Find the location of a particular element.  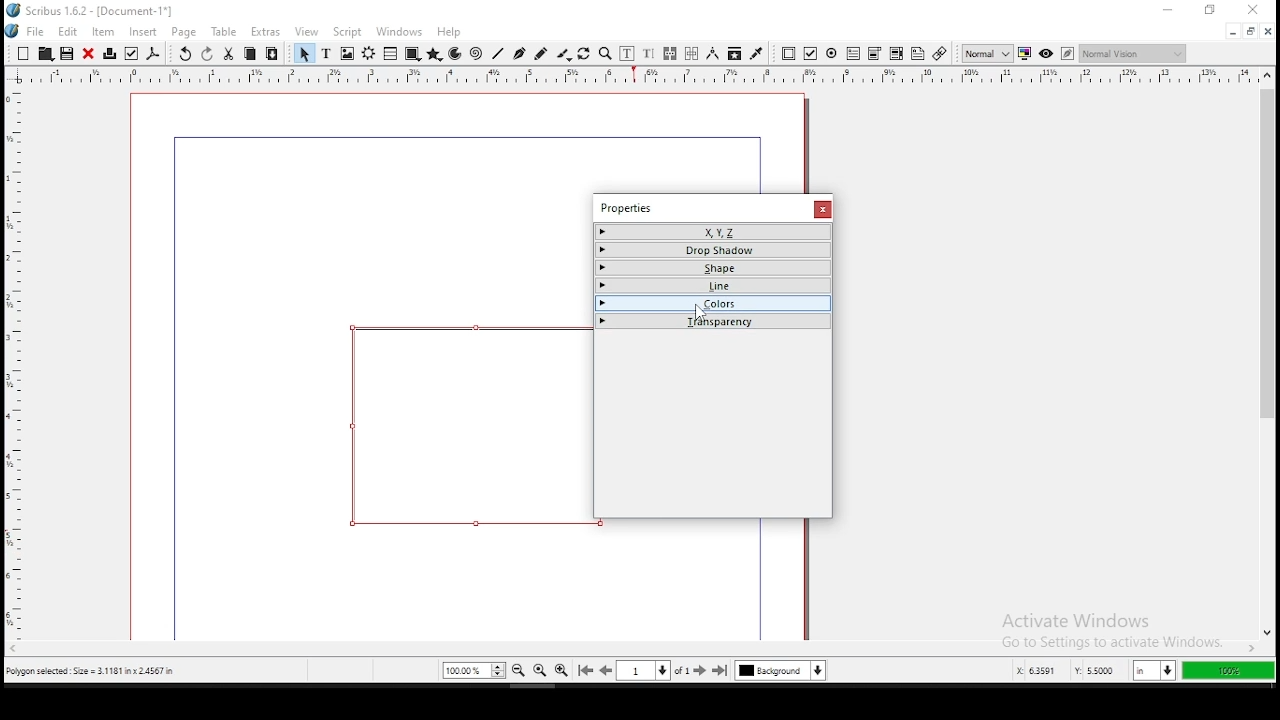

pdf text field is located at coordinates (854, 54).